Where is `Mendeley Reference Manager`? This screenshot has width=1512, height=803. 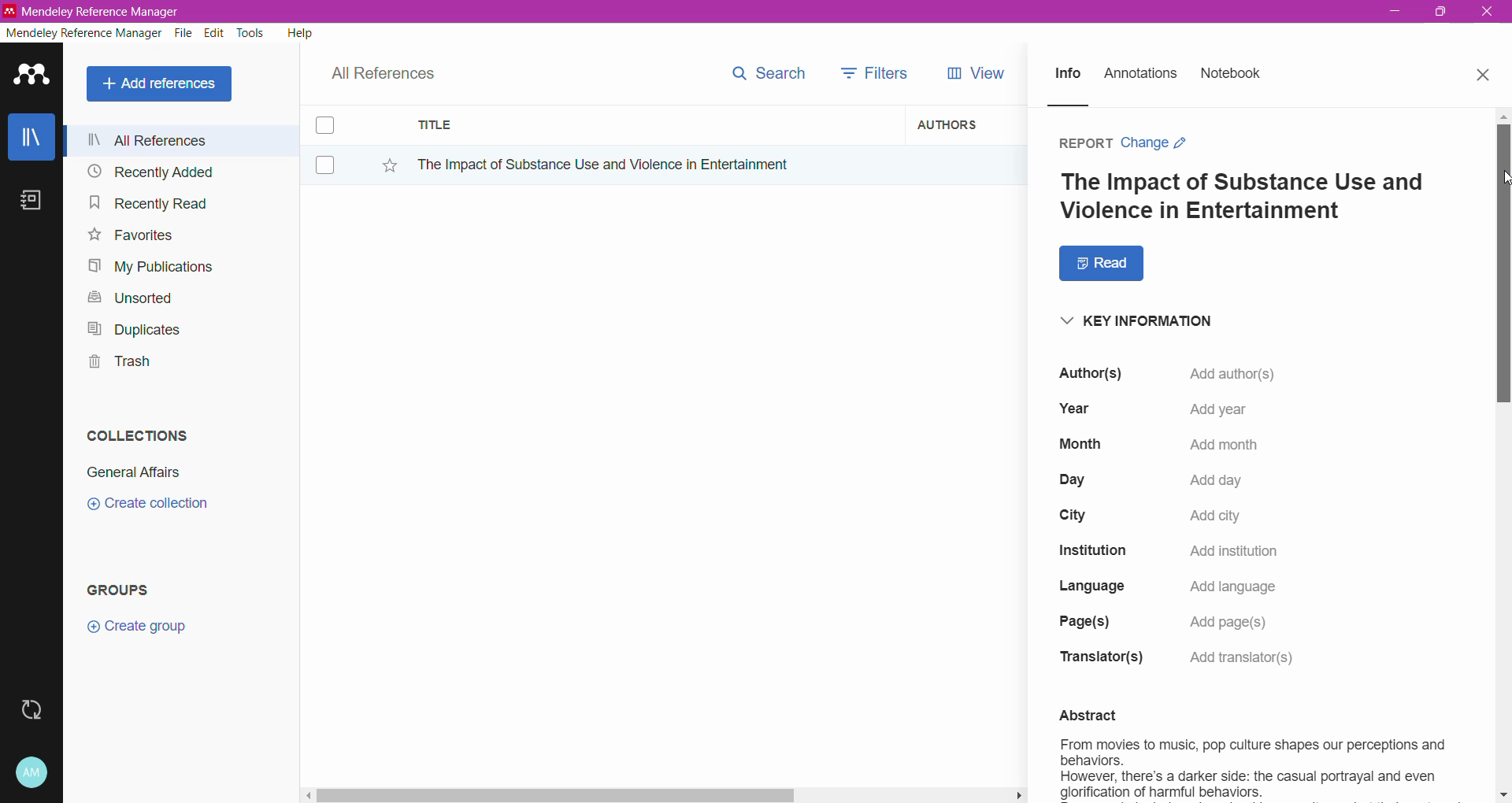 Mendeley Reference Manager is located at coordinates (84, 33).